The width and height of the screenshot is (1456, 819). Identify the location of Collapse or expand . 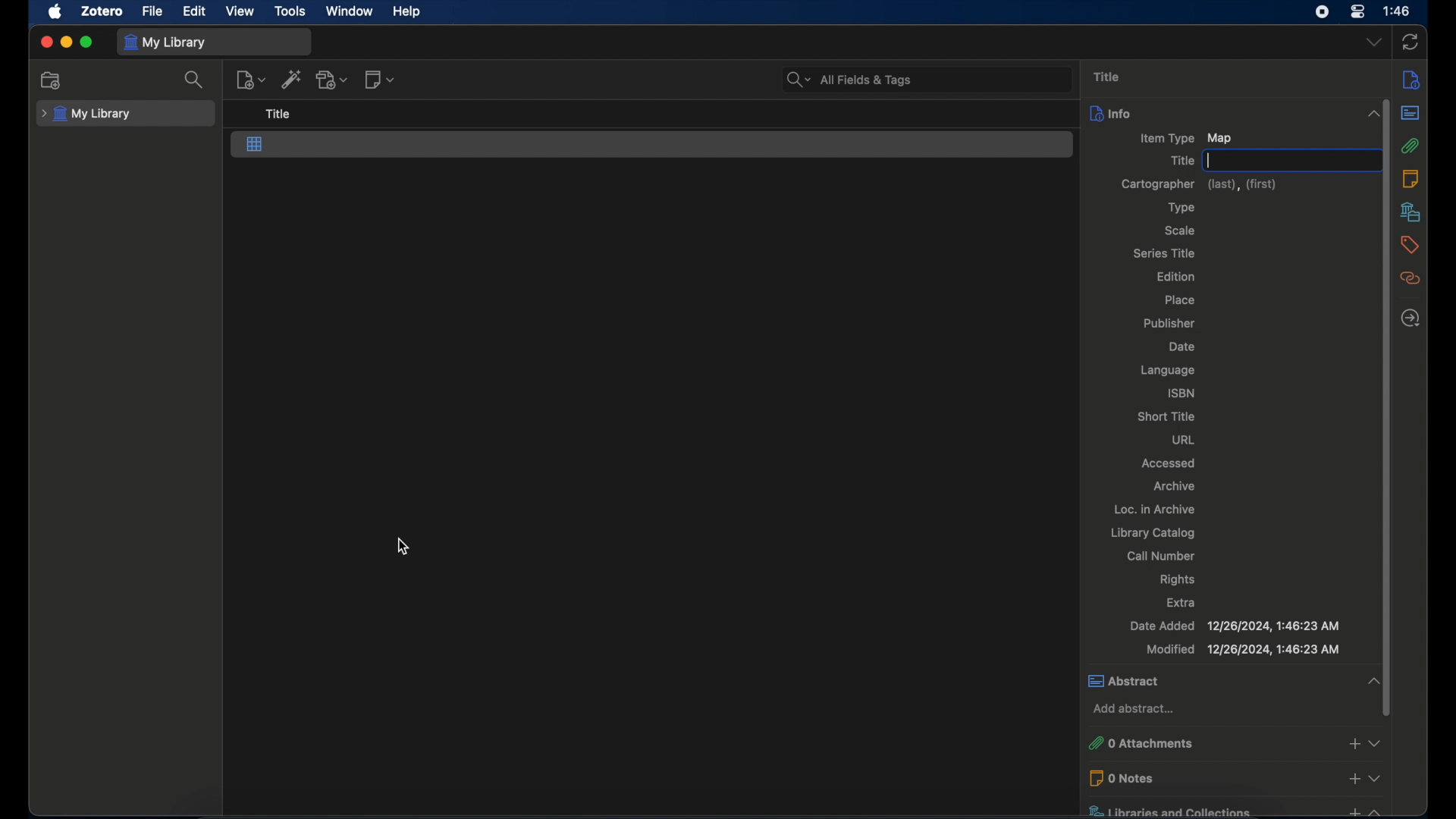
(1373, 679).